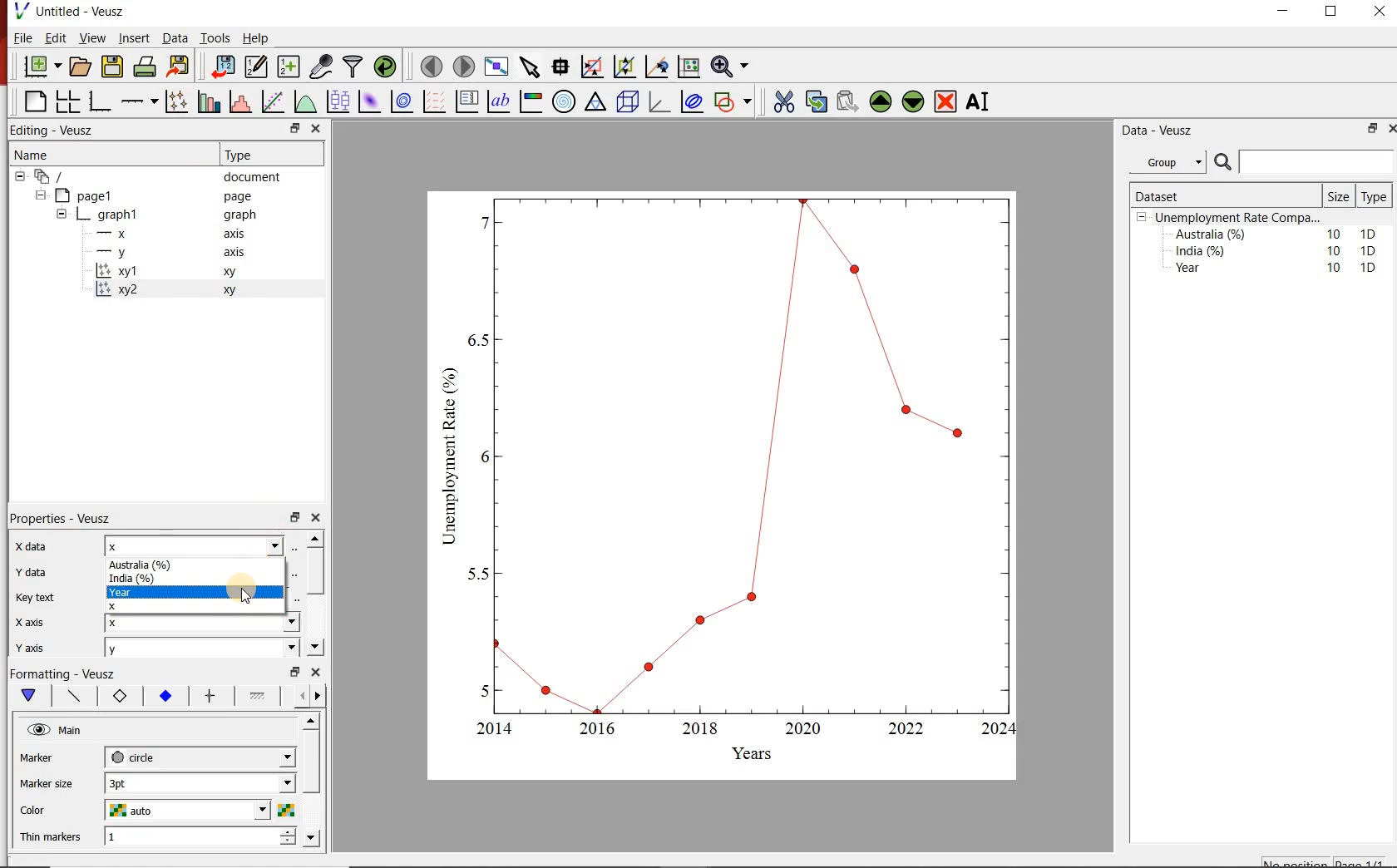  What do you see at coordinates (138, 101) in the screenshot?
I see `add an axis` at bounding box center [138, 101].